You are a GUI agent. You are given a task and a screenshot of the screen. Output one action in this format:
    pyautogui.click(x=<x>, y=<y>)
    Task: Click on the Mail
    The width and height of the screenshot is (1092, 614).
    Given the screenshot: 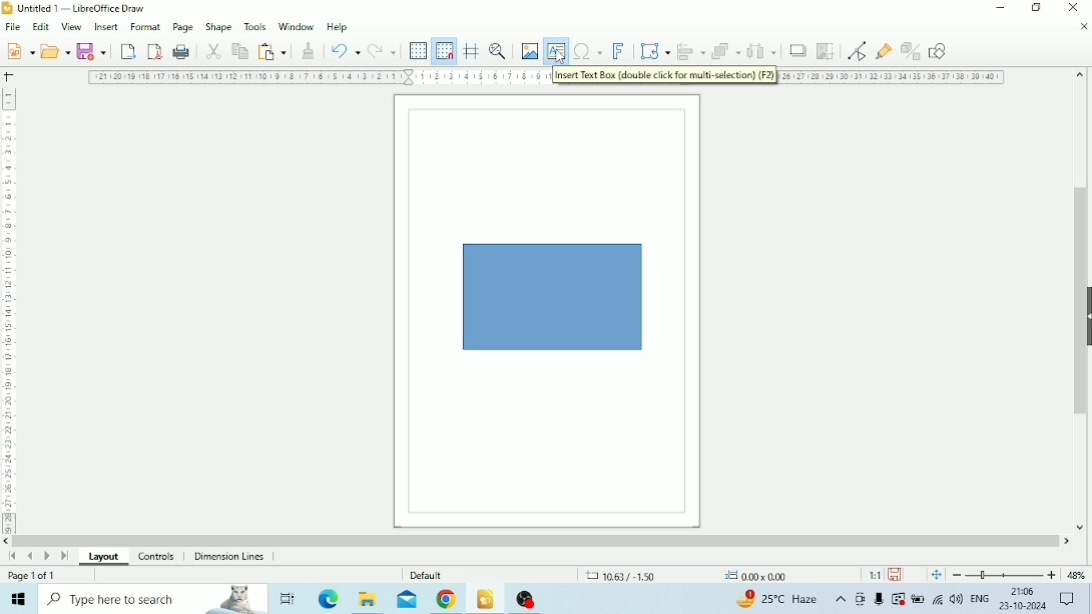 What is the action you would take?
    pyautogui.click(x=405, y=600)
    